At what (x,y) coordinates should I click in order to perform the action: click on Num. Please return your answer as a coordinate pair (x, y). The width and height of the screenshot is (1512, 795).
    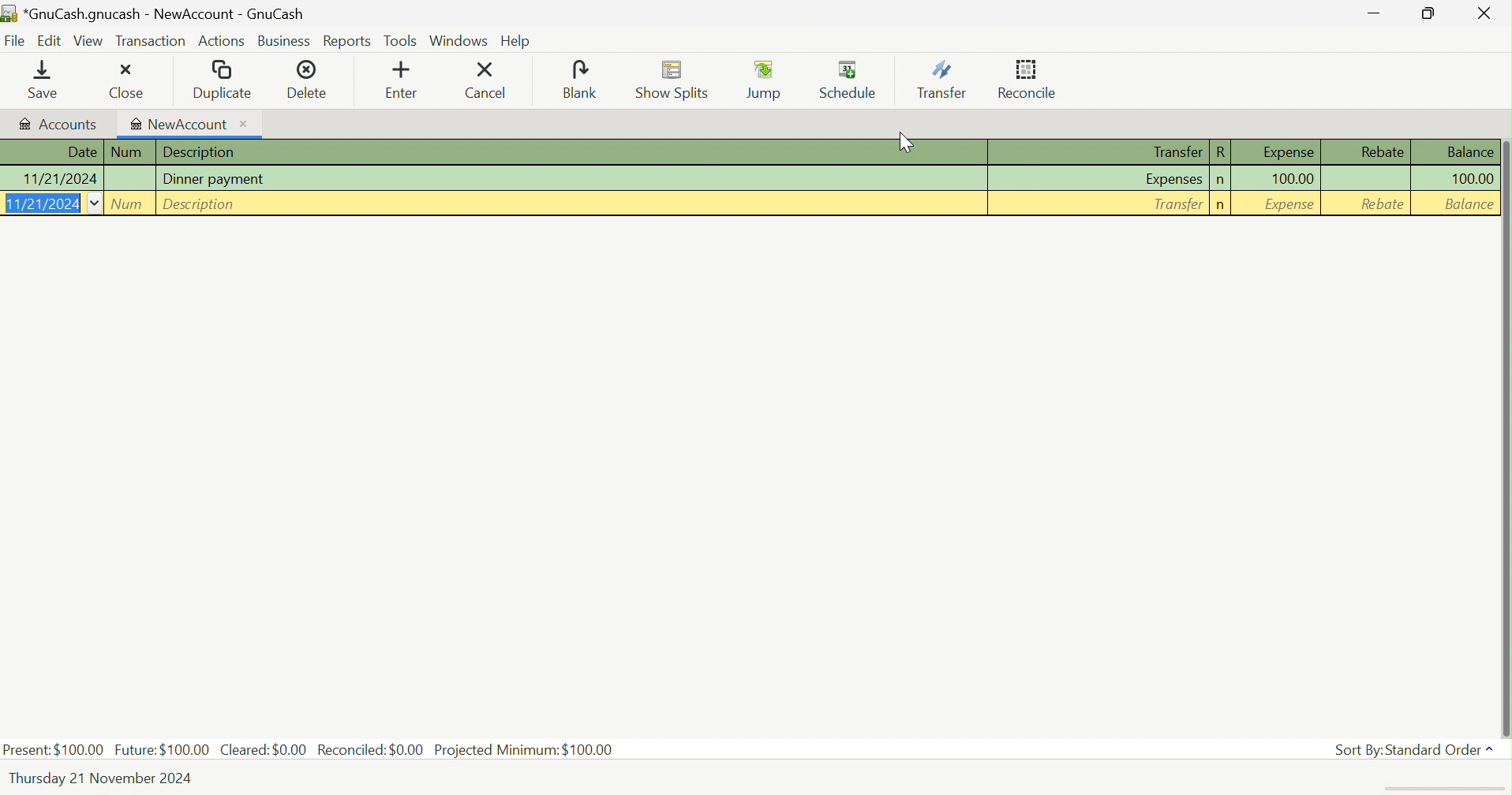
    Looking at the image, I should click on (128, 203).